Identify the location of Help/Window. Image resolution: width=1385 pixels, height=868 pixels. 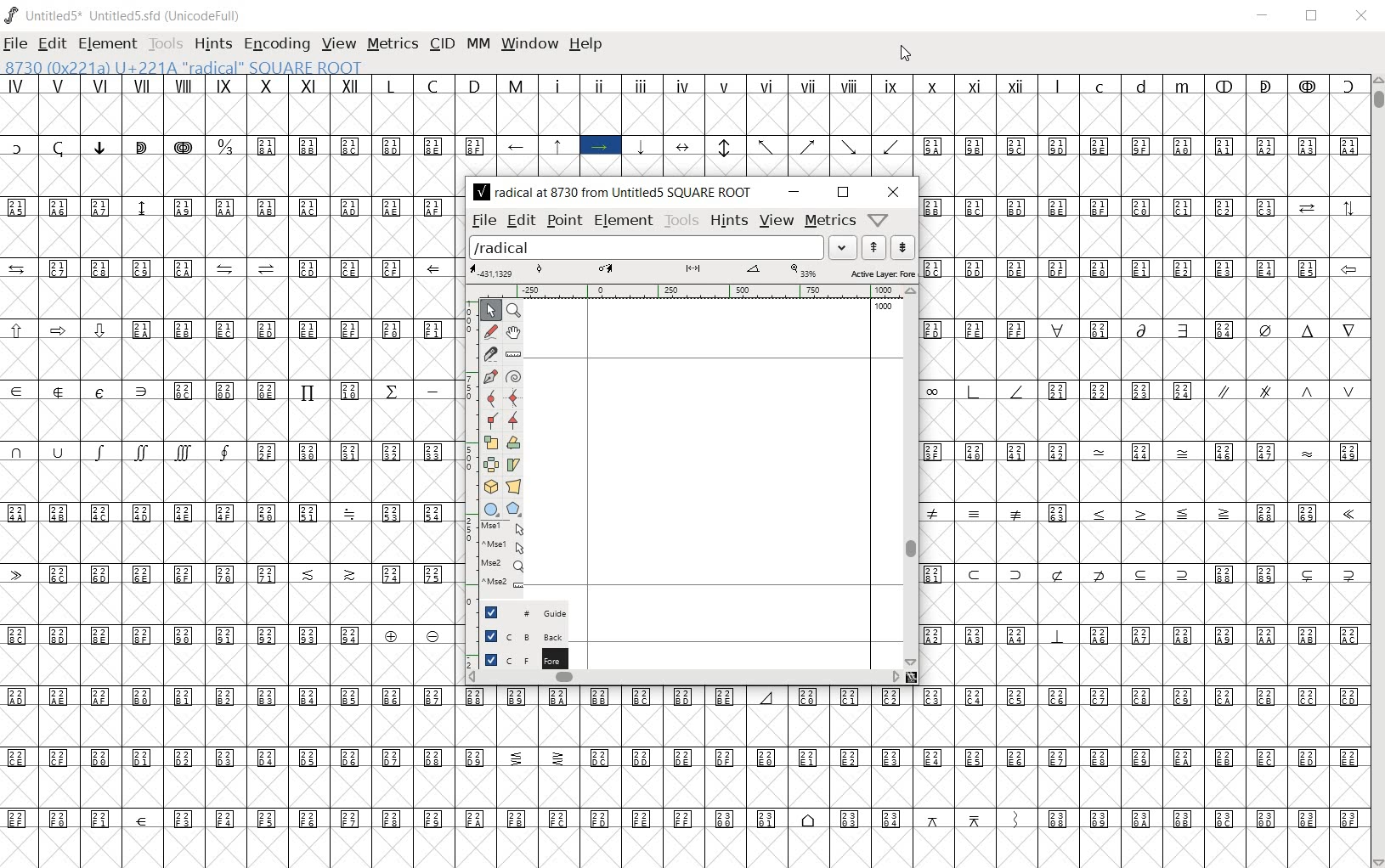
(879, 222).